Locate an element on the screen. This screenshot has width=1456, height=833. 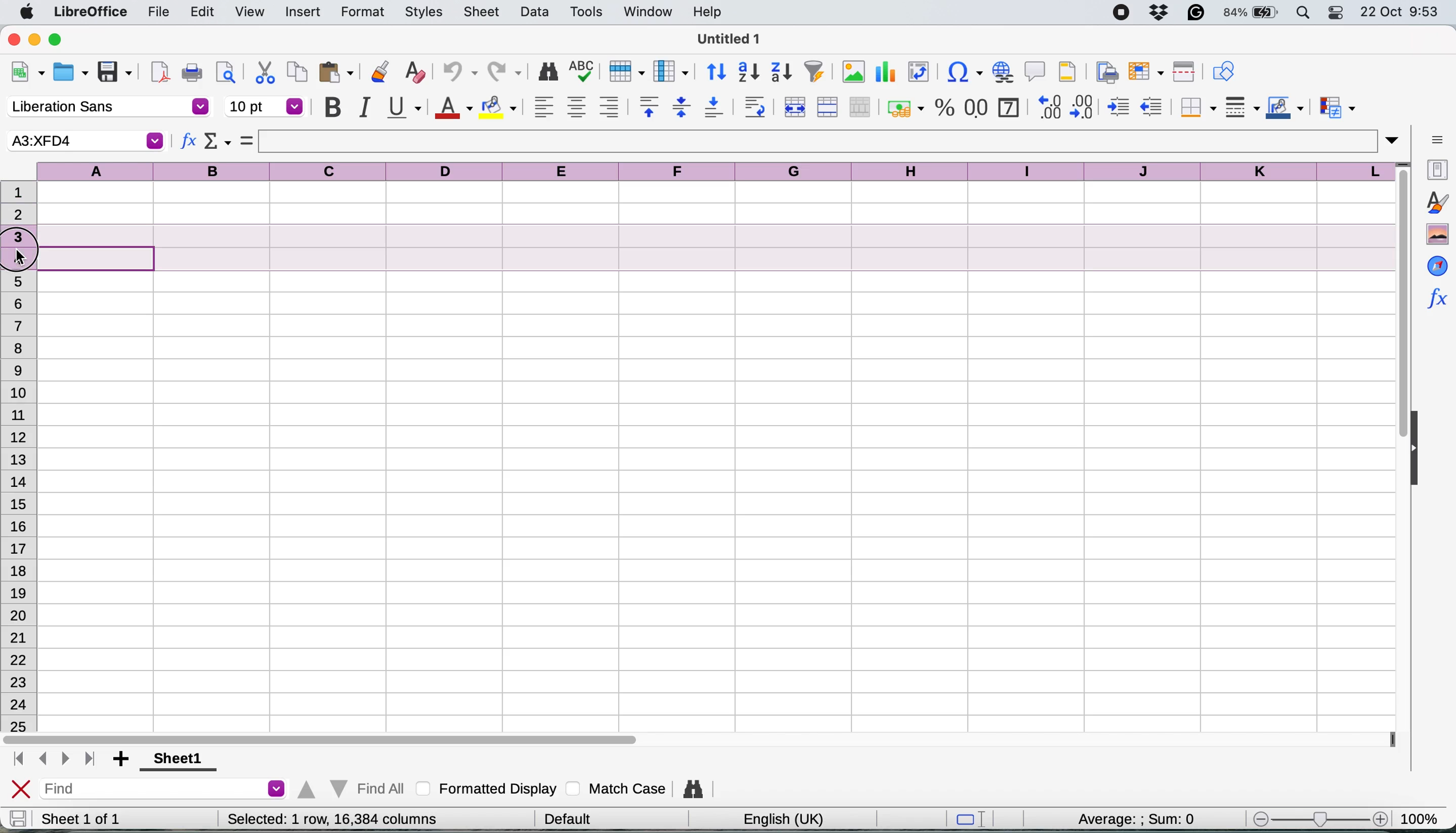
copy is located at coordinates (298, 72).